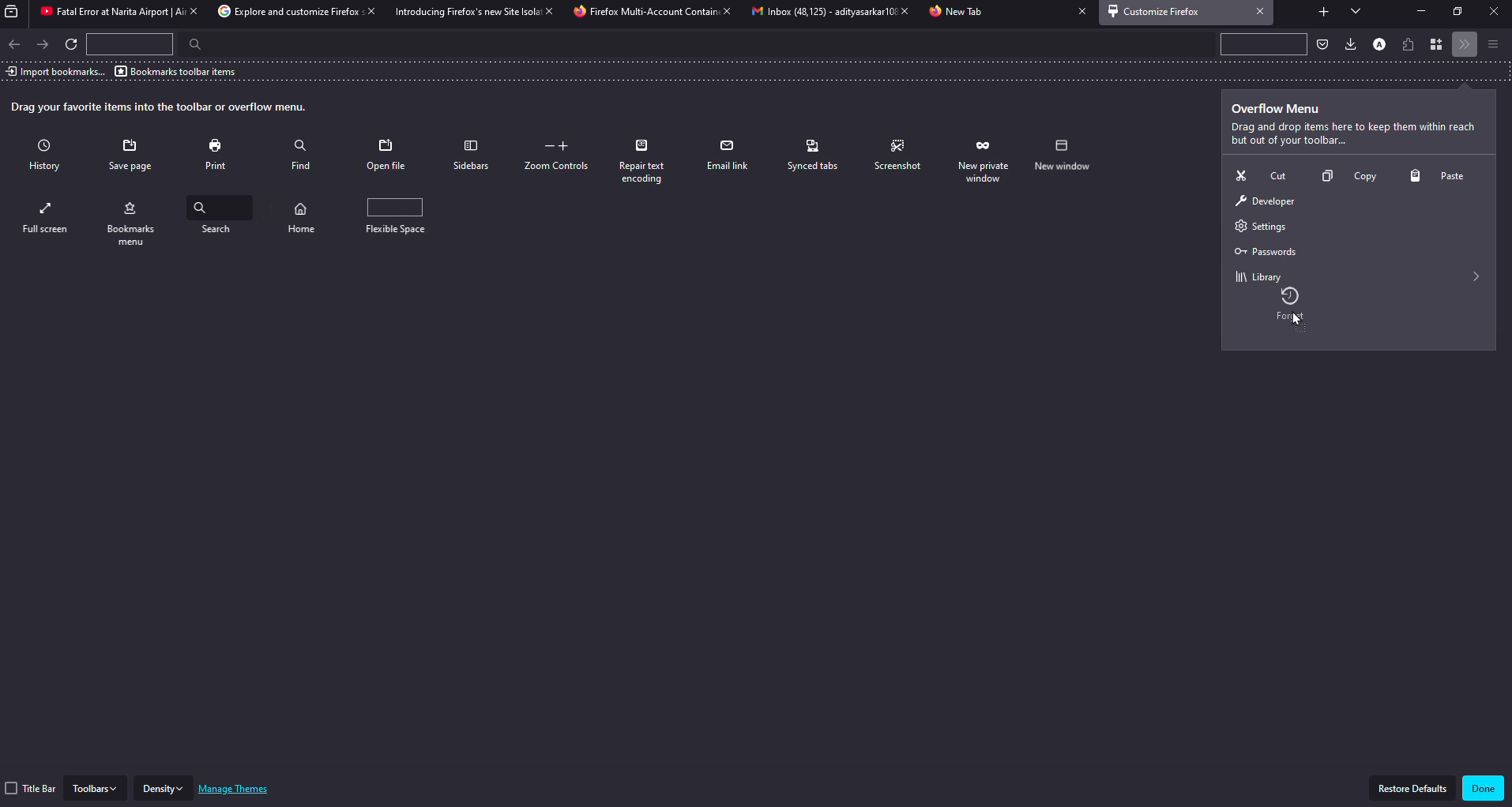 The image size is (1512, 807). Describe the element at coordinates (1067, 156) in the screenshot. I see `private window` at that location.